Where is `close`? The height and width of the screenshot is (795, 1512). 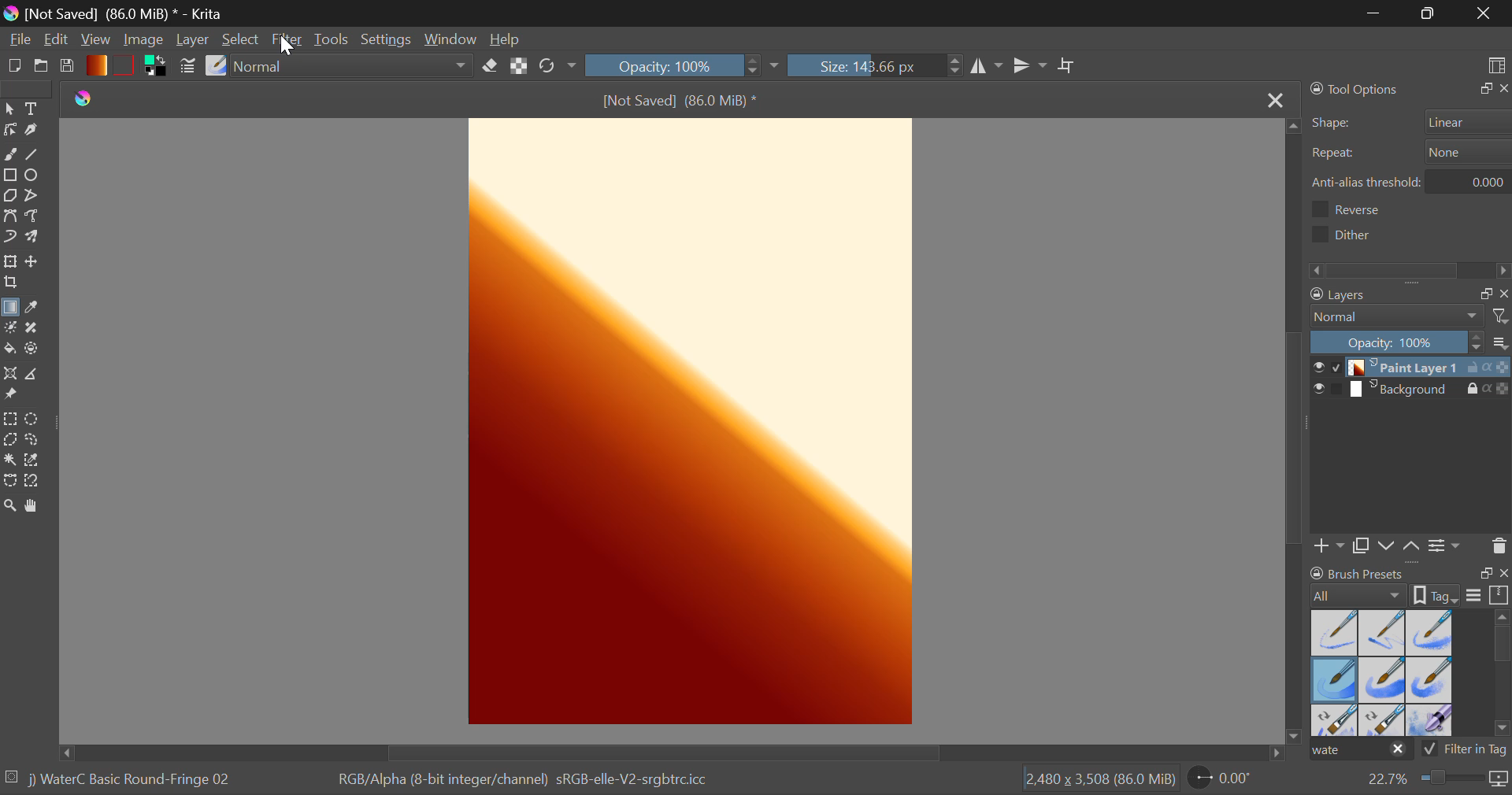 close is located at coordinates (5422, 2063).